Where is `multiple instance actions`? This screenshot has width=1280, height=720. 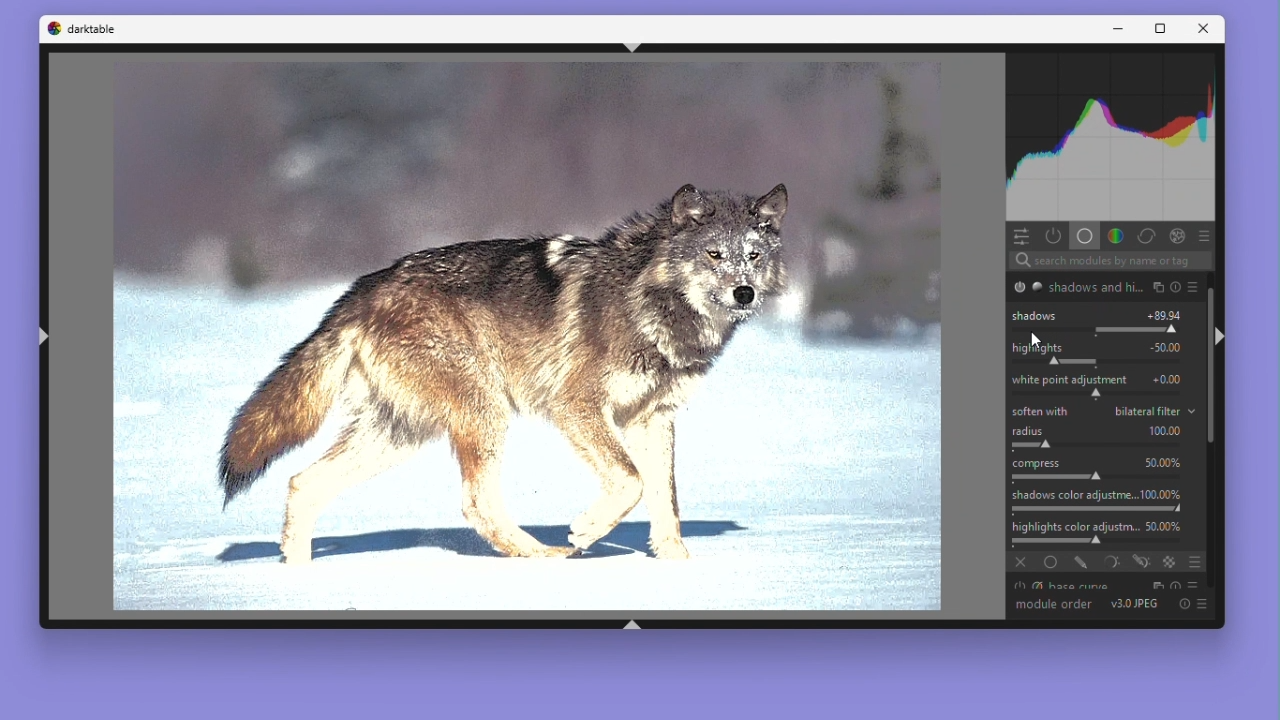
multiple instance actions is located at coordinates (1160, 586).